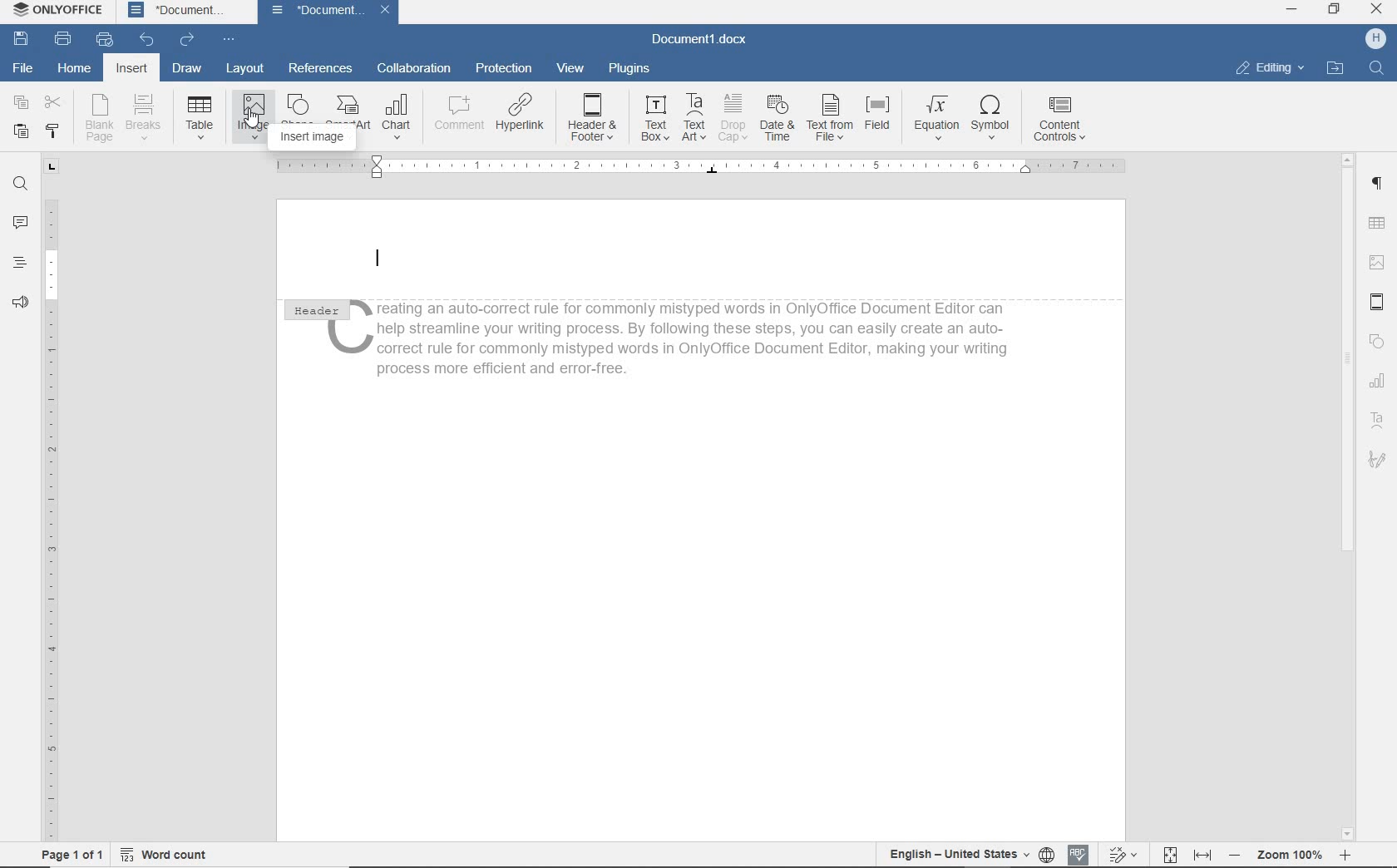 The height and width of the screenshot is (868, 1397). What do you see at coordinates (19, 221) in the screenshot?
I see `COMMENTS` at bounding box center [19, 221].